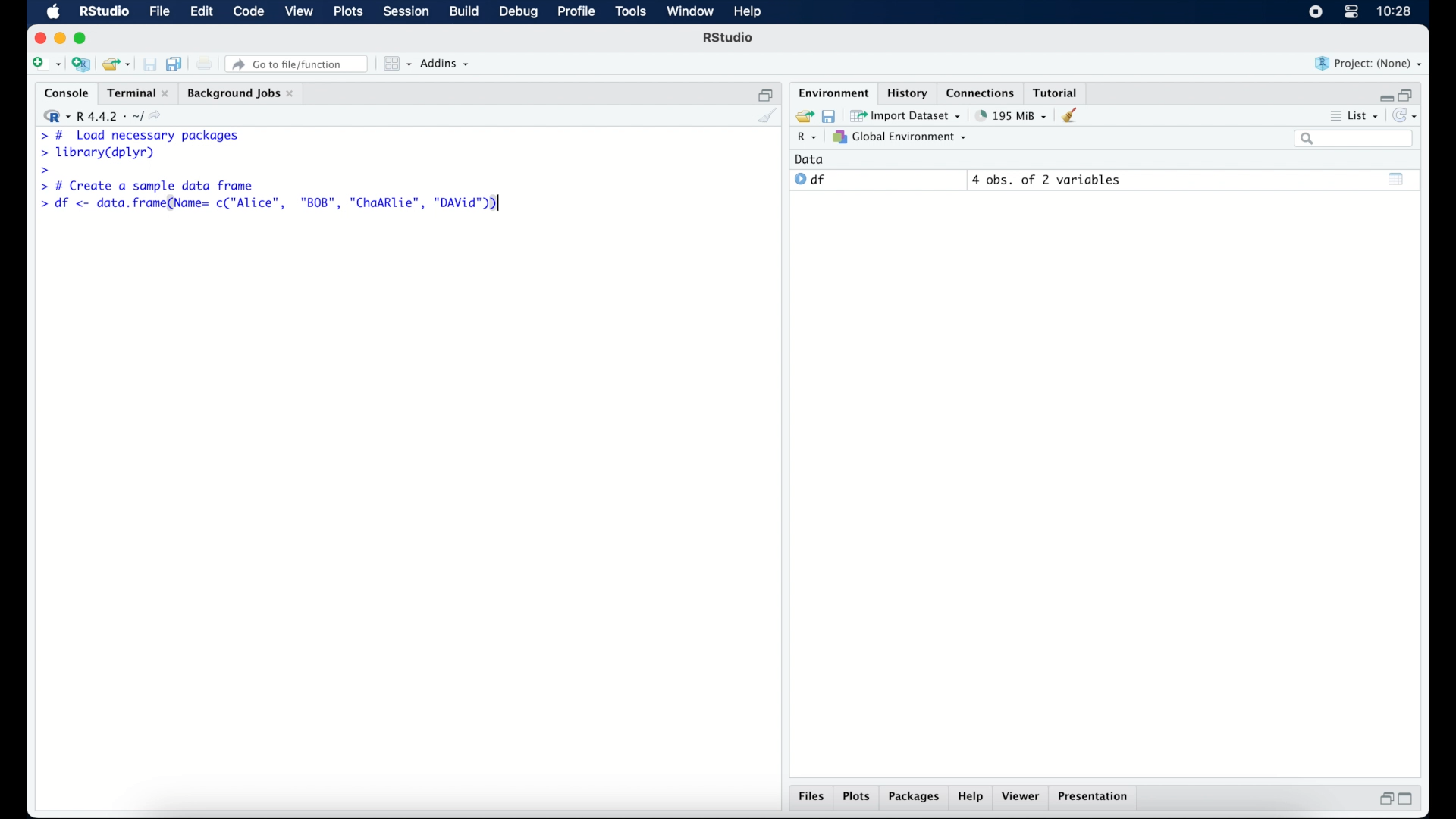  What do you see at coordinates (45, 65) in the screenshot?
I see `create new file` at bounding box center [45, 65].